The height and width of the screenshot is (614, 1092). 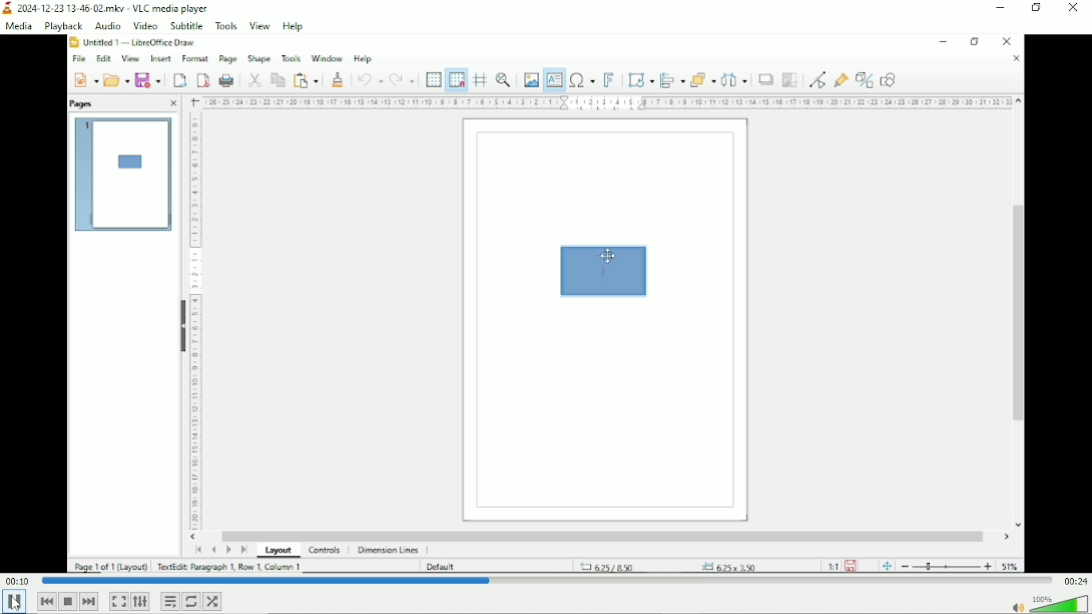 What do you see at coordinates (192, 601) in the screenshot?
I see `Click to toggle between loop all, loop one and no loop` at bounding box center [192, 601].